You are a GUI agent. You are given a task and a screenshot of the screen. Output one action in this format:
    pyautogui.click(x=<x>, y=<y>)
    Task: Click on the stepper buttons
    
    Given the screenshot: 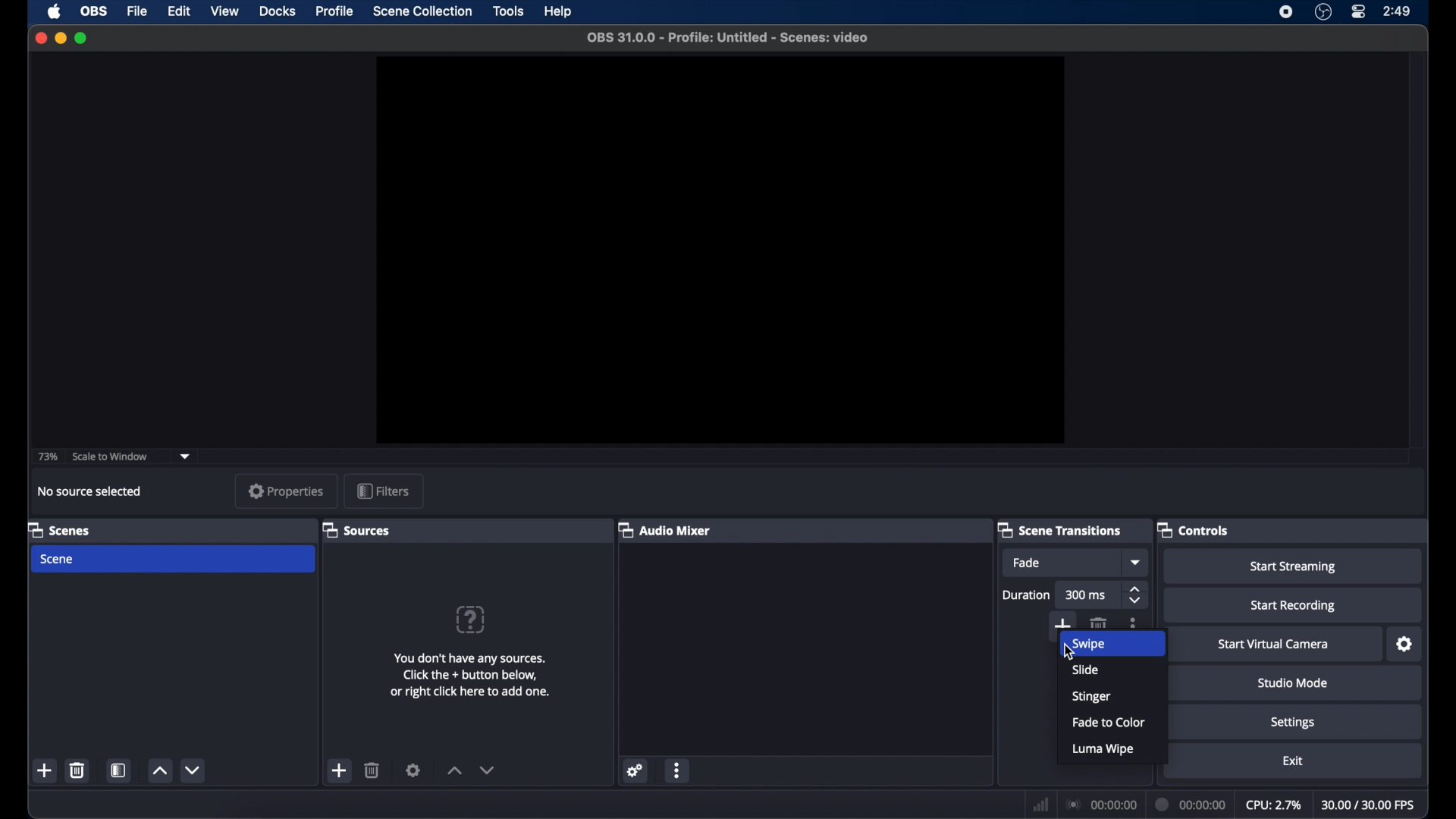 What is the action you would take?
    pyautogui.click(x=1134, y=594)
    